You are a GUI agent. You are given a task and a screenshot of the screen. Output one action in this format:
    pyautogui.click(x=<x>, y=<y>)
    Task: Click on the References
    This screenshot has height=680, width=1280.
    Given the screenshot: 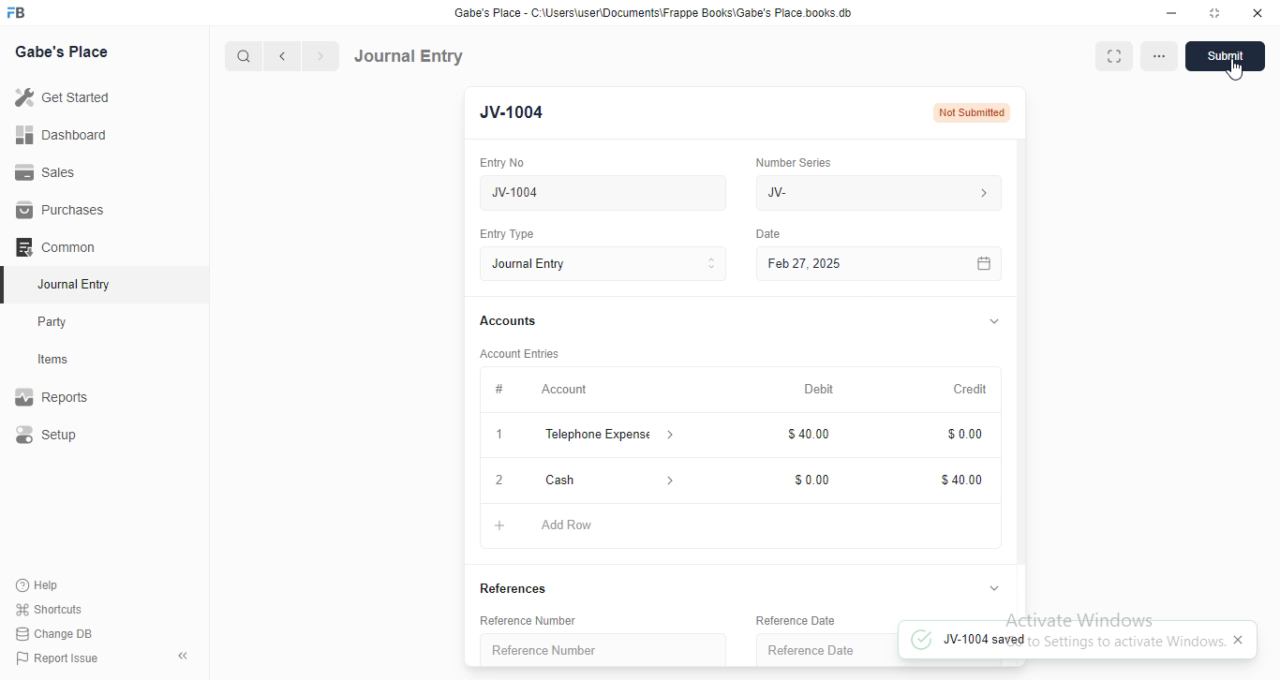 What is the action you would take?
    pyautogui.click(x=511, y=588)
    